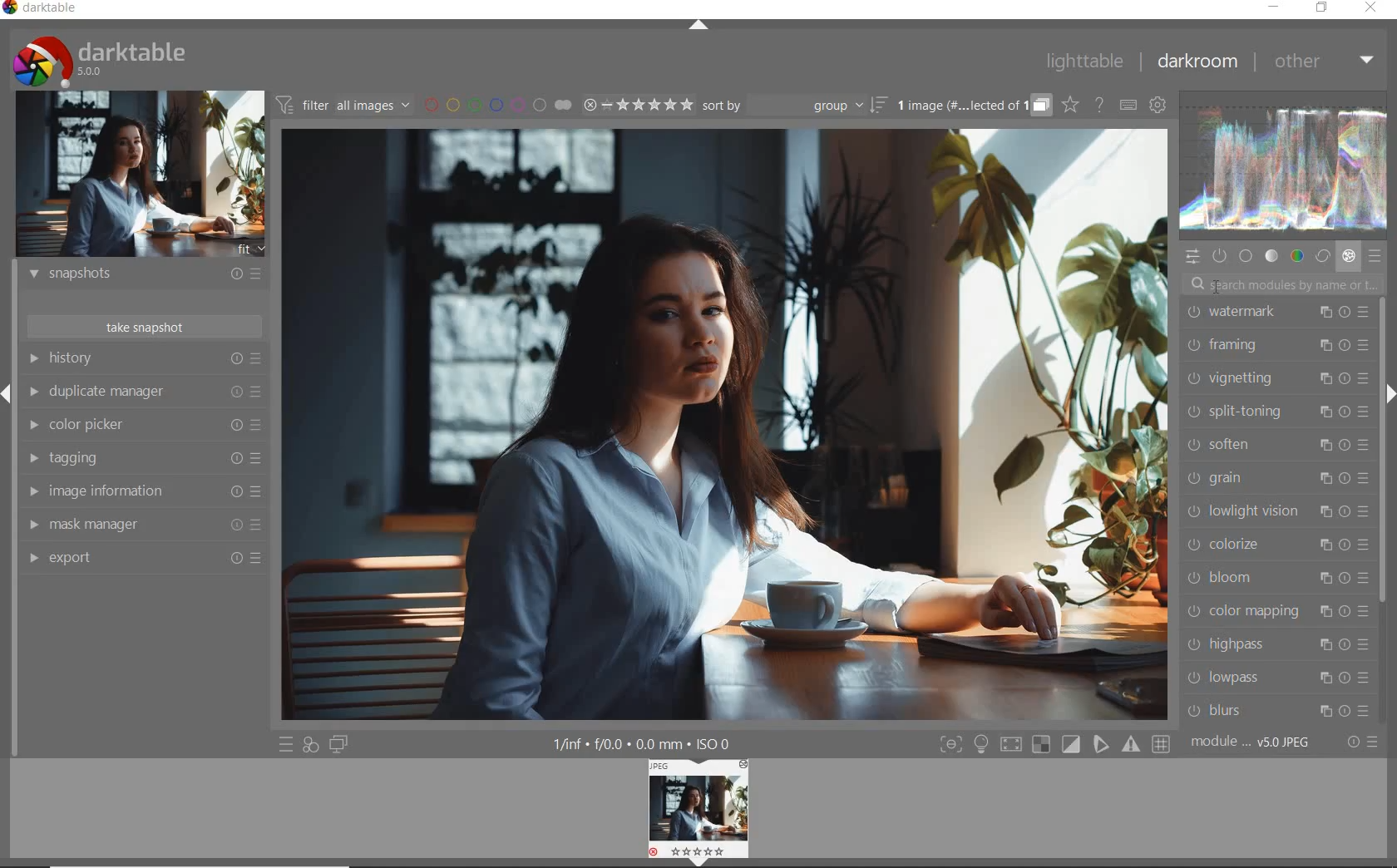  Describe the element at coordinates (1158, 106) in the screenshot. I see `show global preferences` at that location.